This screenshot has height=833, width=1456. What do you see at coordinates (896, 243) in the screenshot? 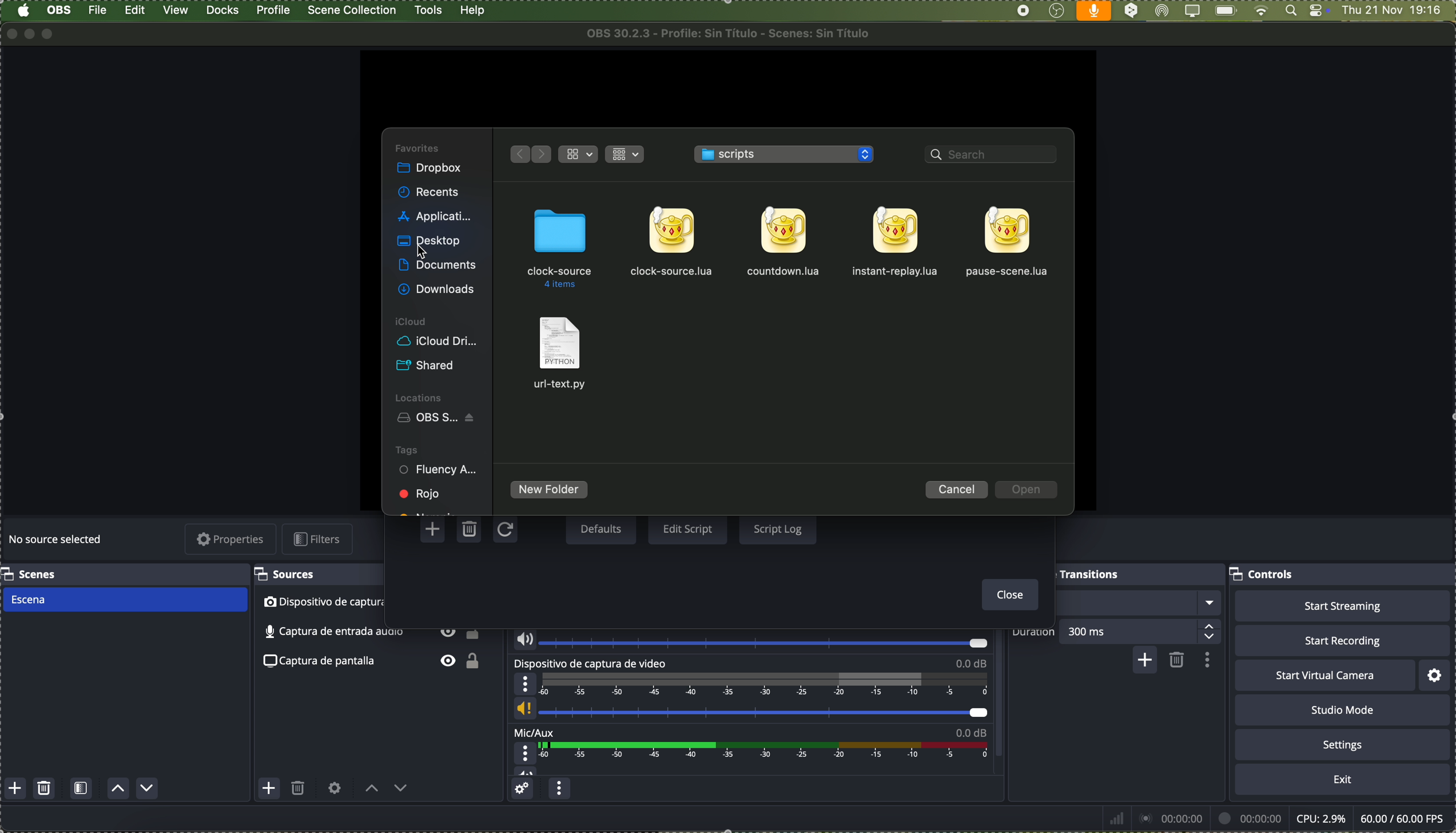
I see `file` at bounding box center [896, 243].